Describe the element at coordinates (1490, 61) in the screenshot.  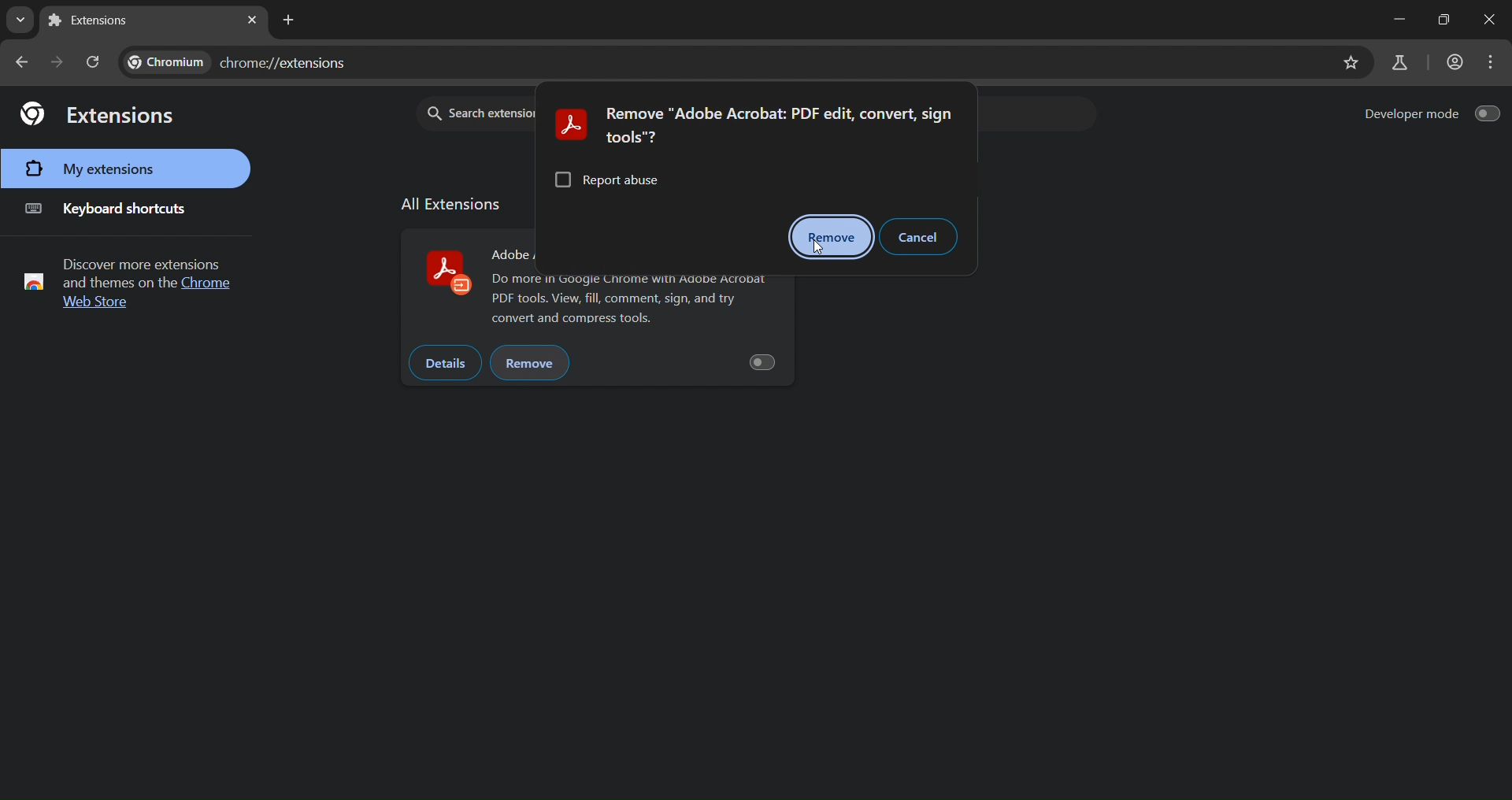
I see `menu` at that location.